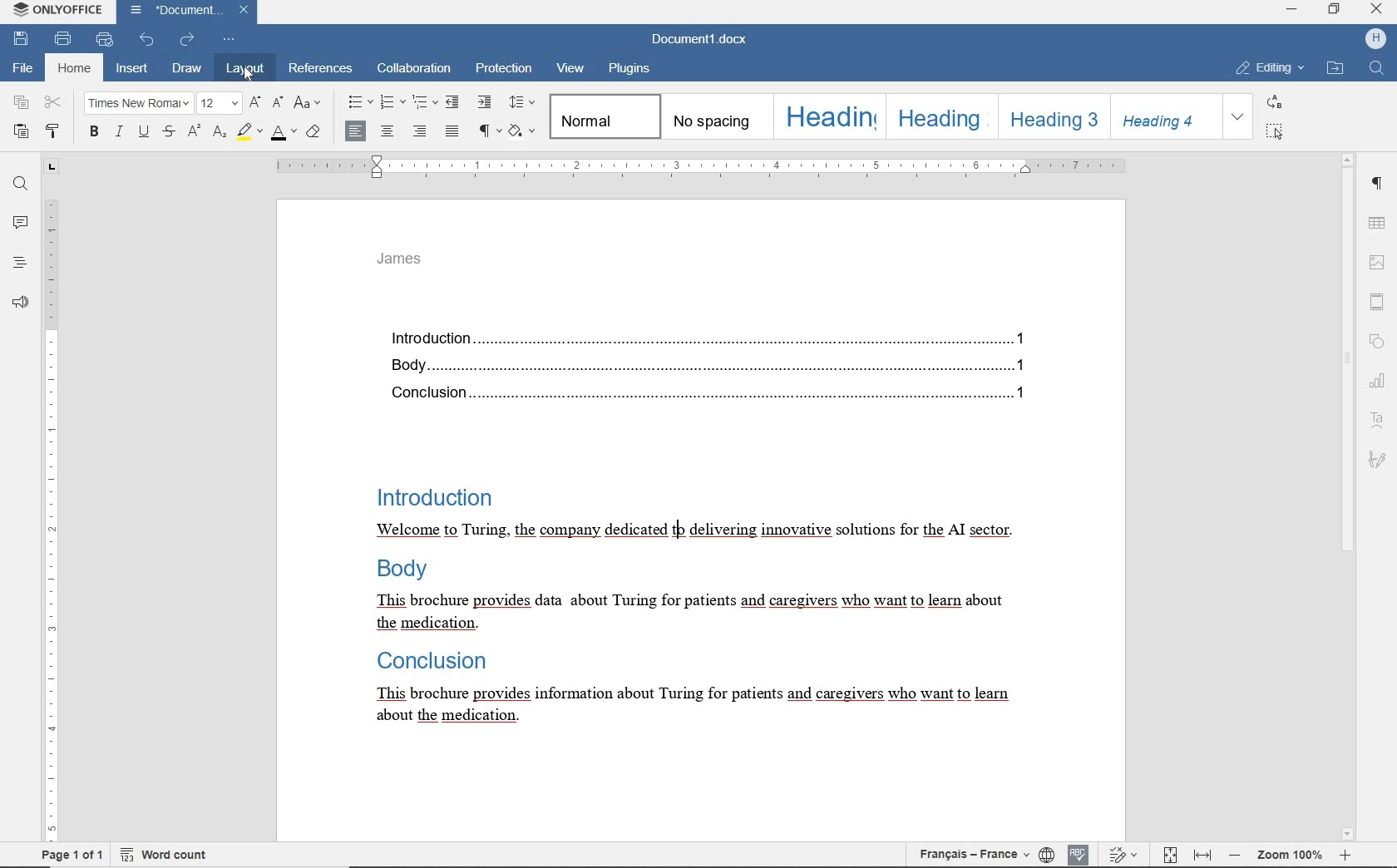 The height and width of the screenshot is (868, 1397). What do you see at coordinates (1379, 264) in the screenshot?
I see `image` at bounding box center [1379, 264].